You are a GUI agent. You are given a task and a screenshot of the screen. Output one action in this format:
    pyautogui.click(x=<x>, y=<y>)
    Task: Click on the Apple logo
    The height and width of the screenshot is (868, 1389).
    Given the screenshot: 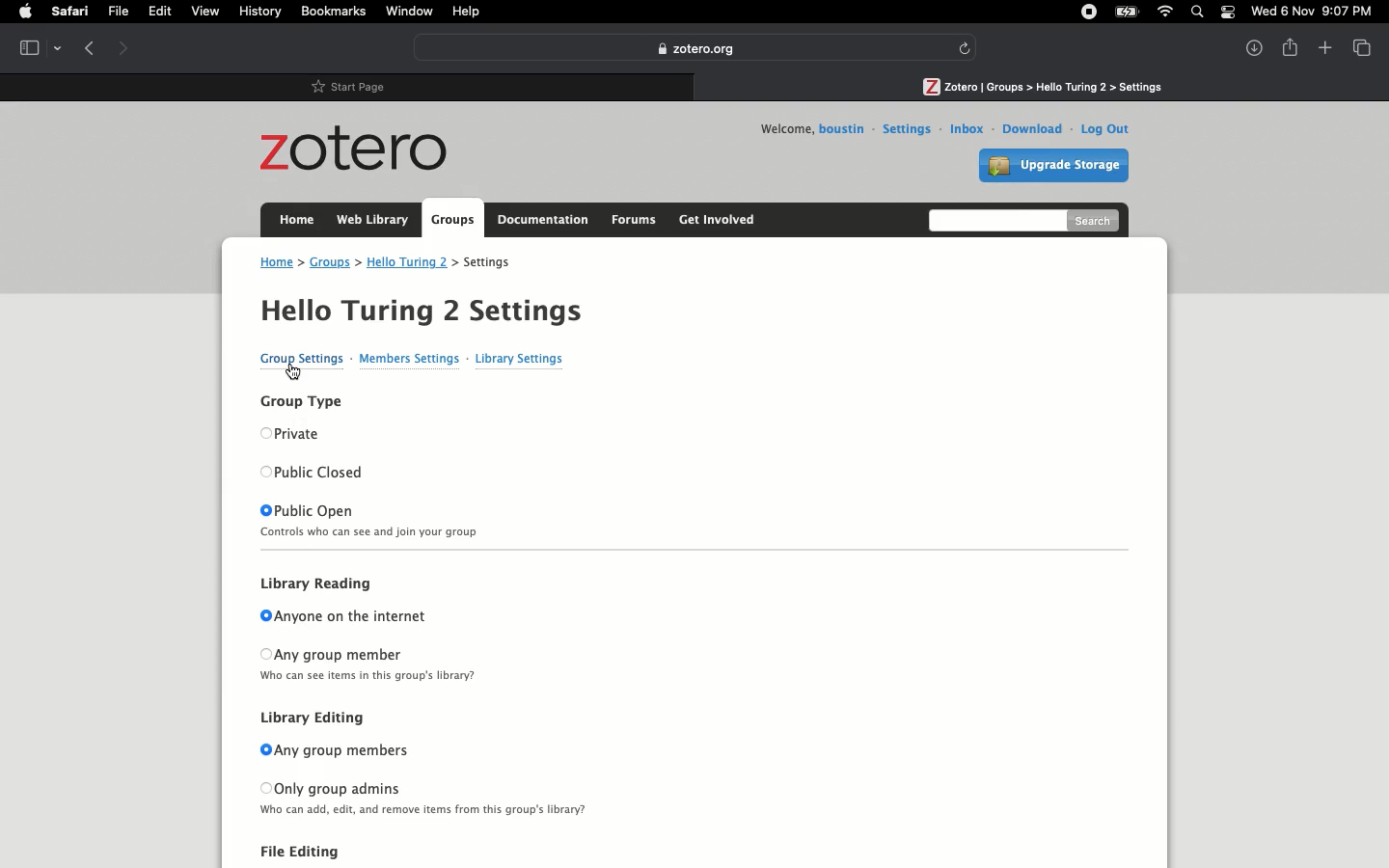 What is the action you would take?
    pyautogui.click(x=24, y=13)
    